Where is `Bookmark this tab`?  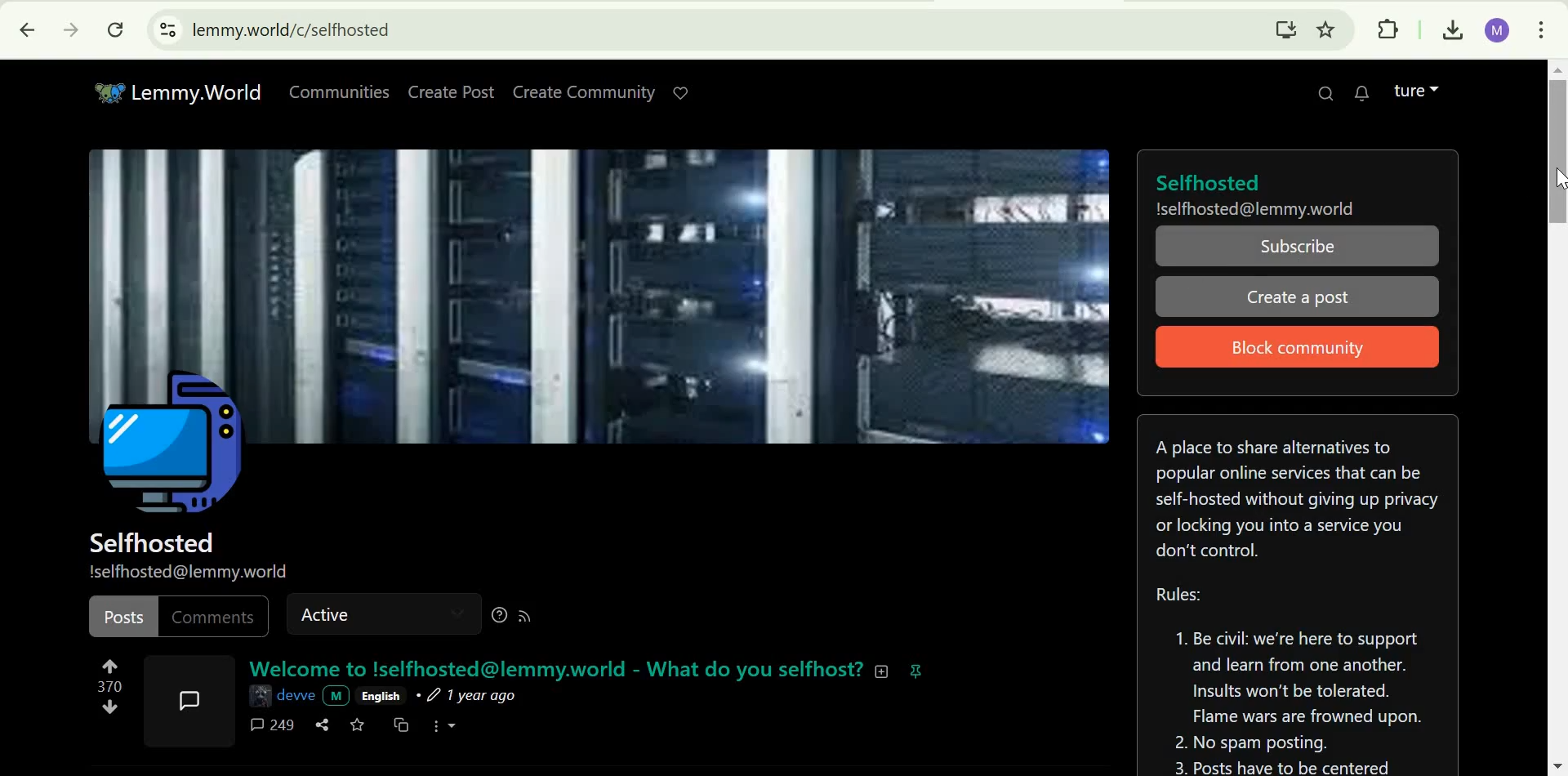
Bookmark this tab is located at coordinates (1326, 29).